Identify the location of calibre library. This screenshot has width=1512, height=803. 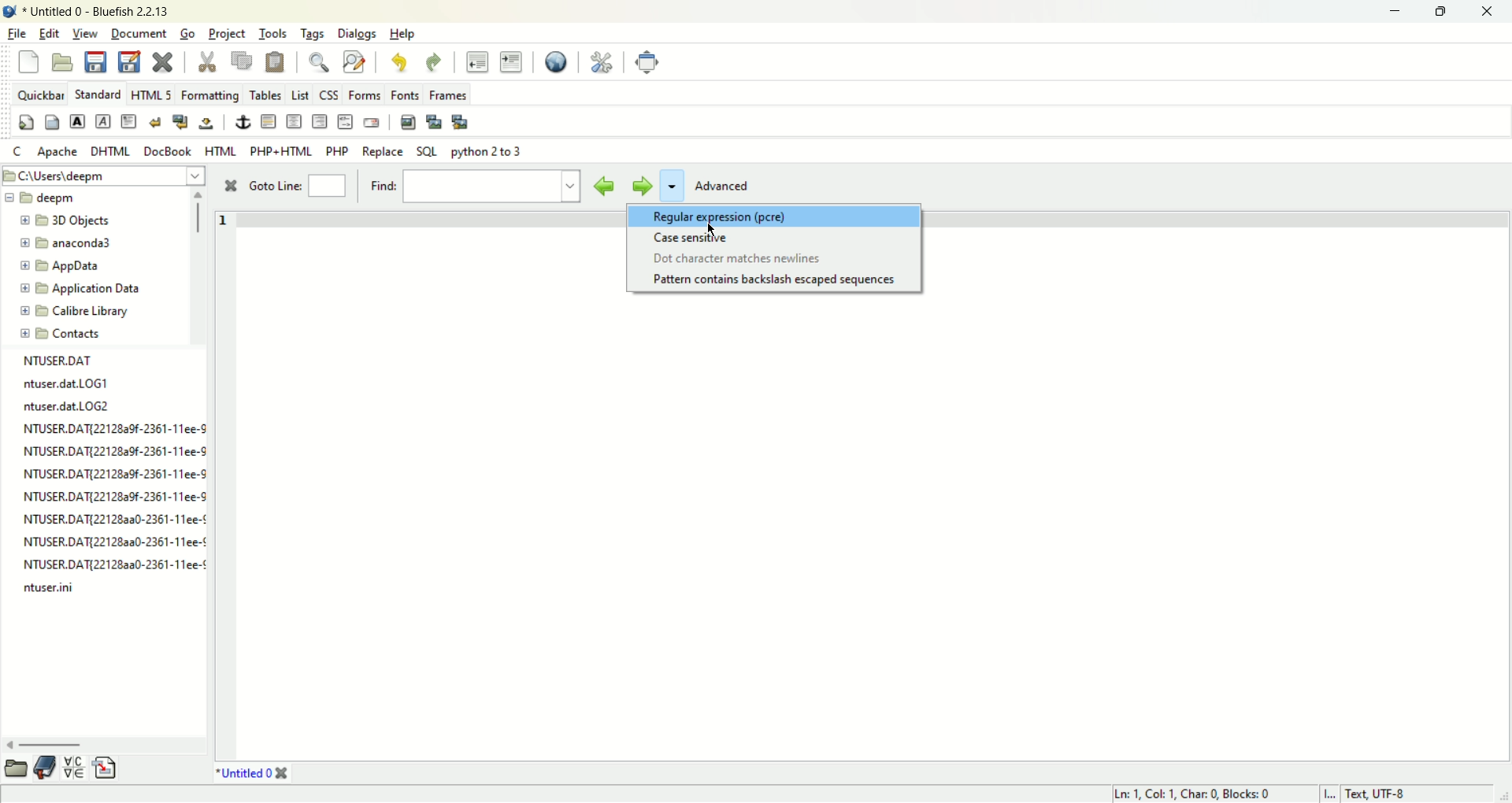
(77, 312).